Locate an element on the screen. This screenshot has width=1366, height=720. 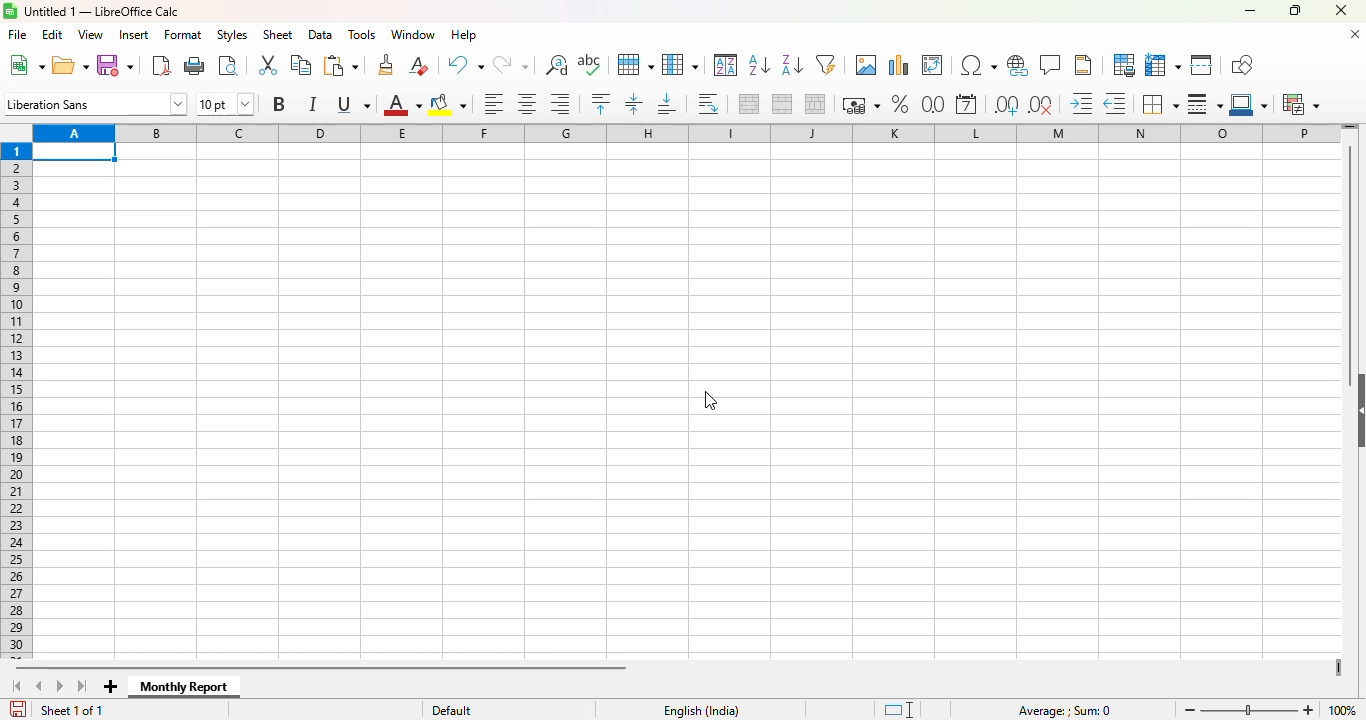
default is located at coordinates (452, 710).